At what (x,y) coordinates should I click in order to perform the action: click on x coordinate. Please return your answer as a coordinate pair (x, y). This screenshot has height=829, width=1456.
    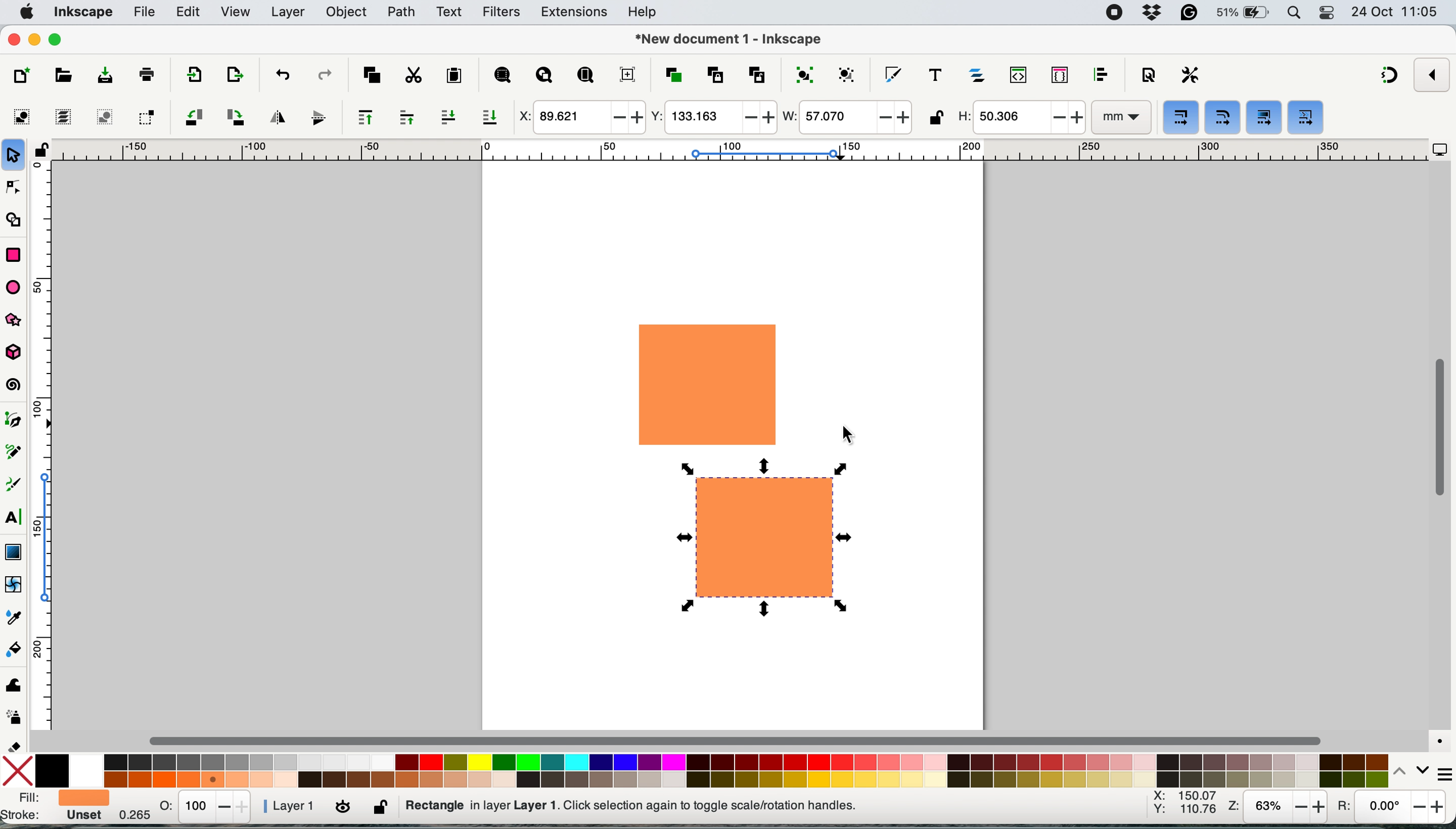
    Looking at the image, I should click on (579, 118).